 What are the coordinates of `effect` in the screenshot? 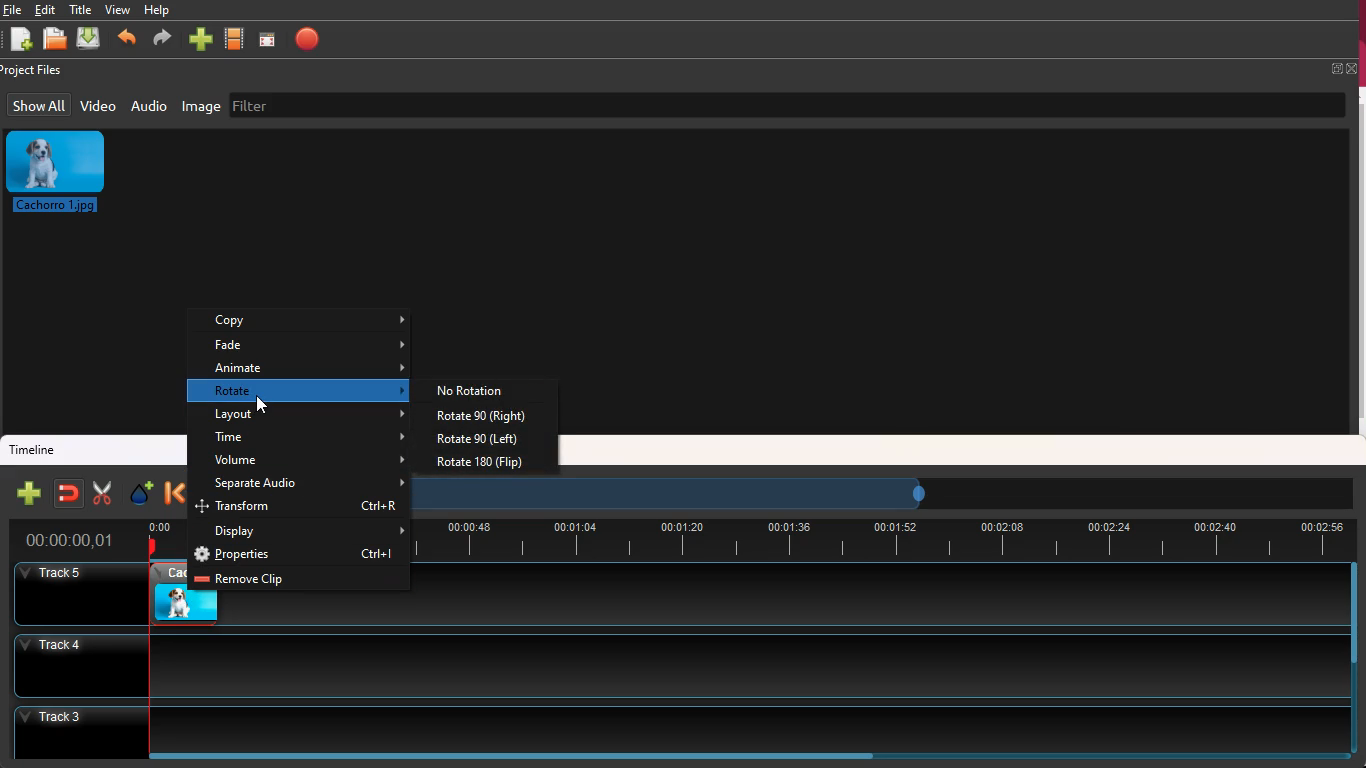 It's located at (140, 492).